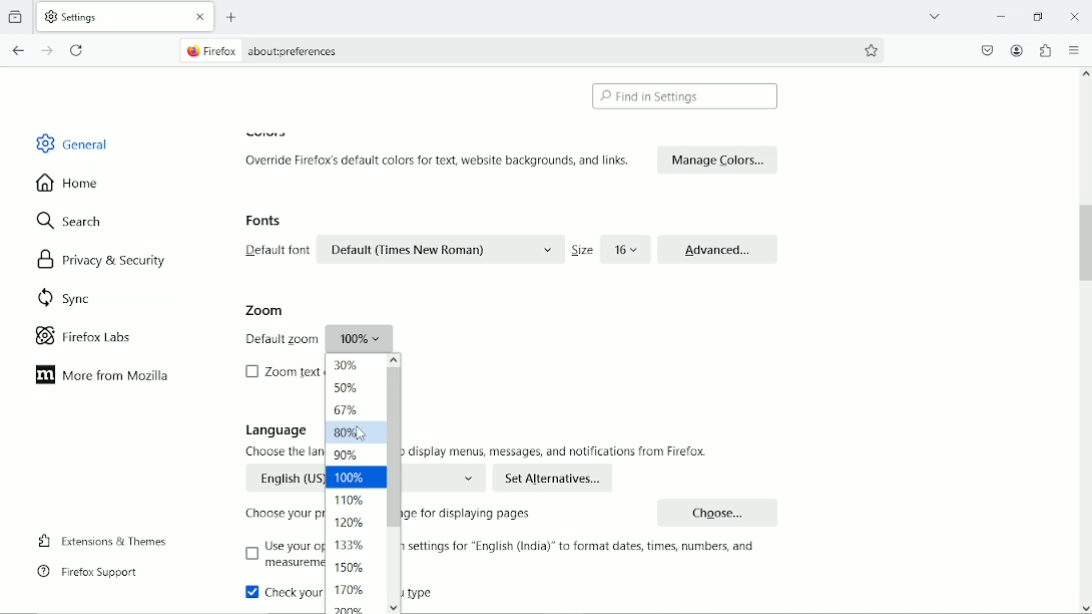 This screenshot has height=614, width=1092. What do you see at coordinates (685, 96) in the screenshot?
I see `Find in Settings` at bounding box center [685, 96].